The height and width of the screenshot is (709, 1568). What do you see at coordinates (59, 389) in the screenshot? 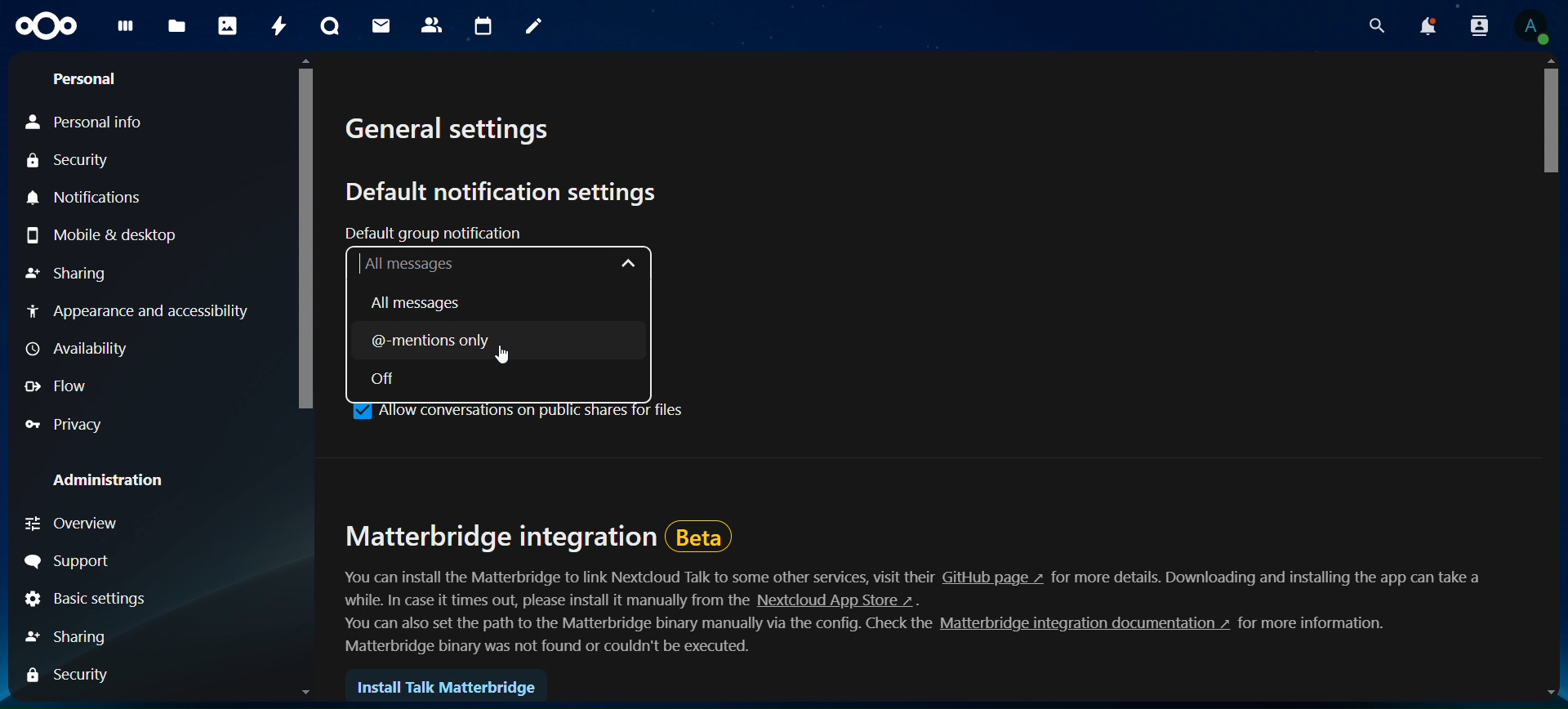
I see `flow` at bounding box center [59, 389].